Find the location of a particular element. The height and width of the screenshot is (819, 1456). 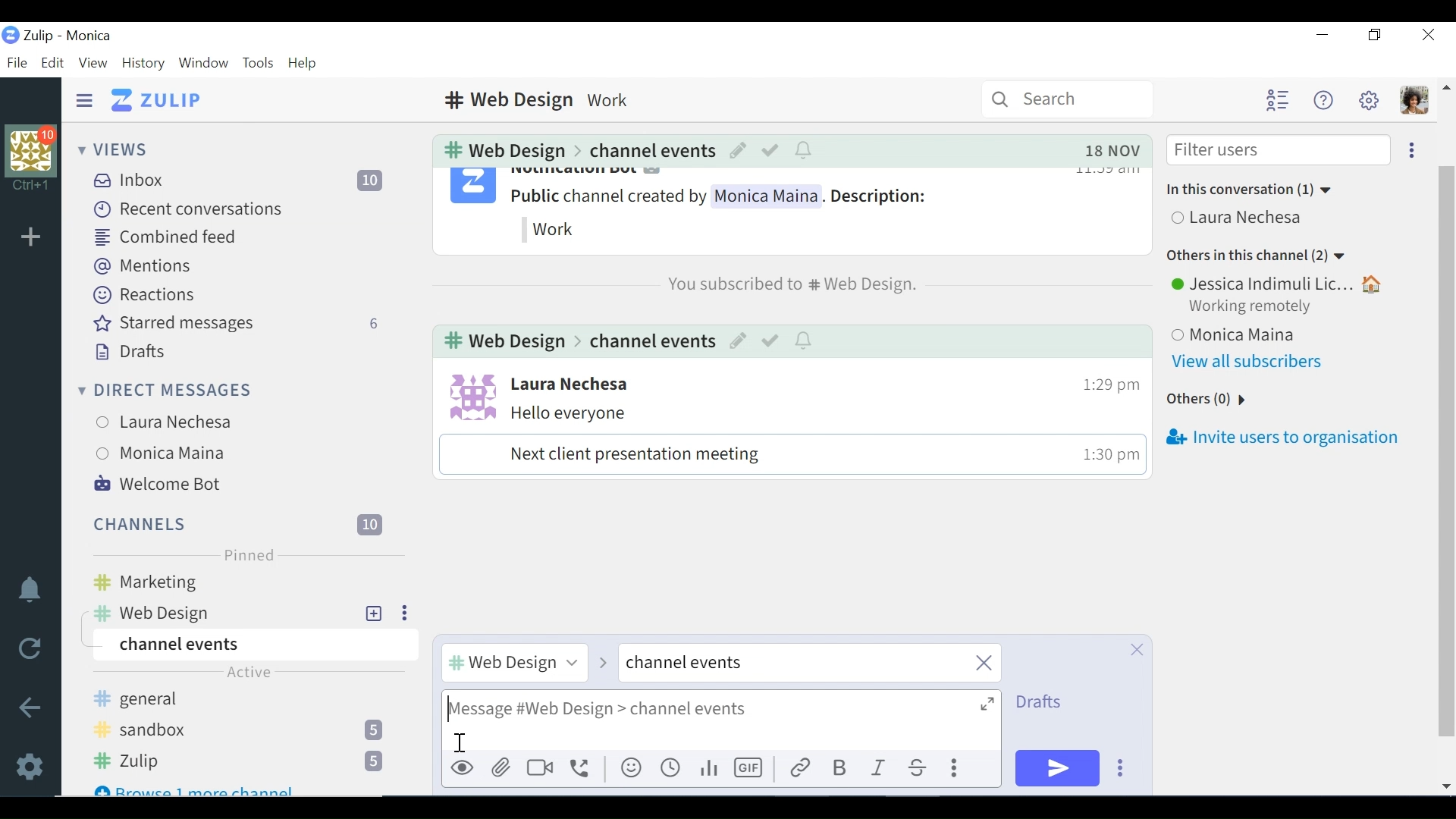

Edit is located at coordinates (739, 342).